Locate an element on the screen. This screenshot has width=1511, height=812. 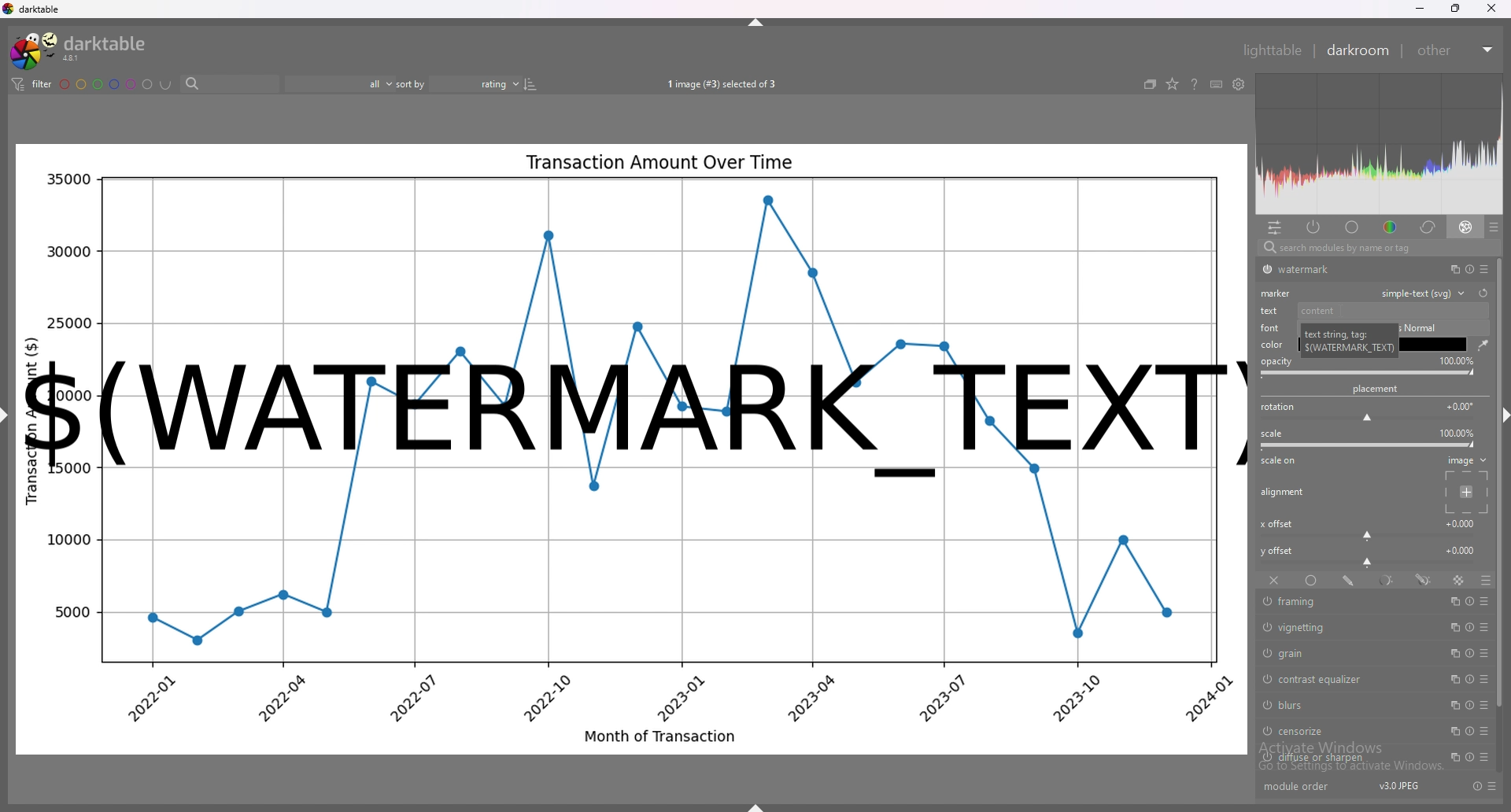
reset is located at coordinates (1470, 731).